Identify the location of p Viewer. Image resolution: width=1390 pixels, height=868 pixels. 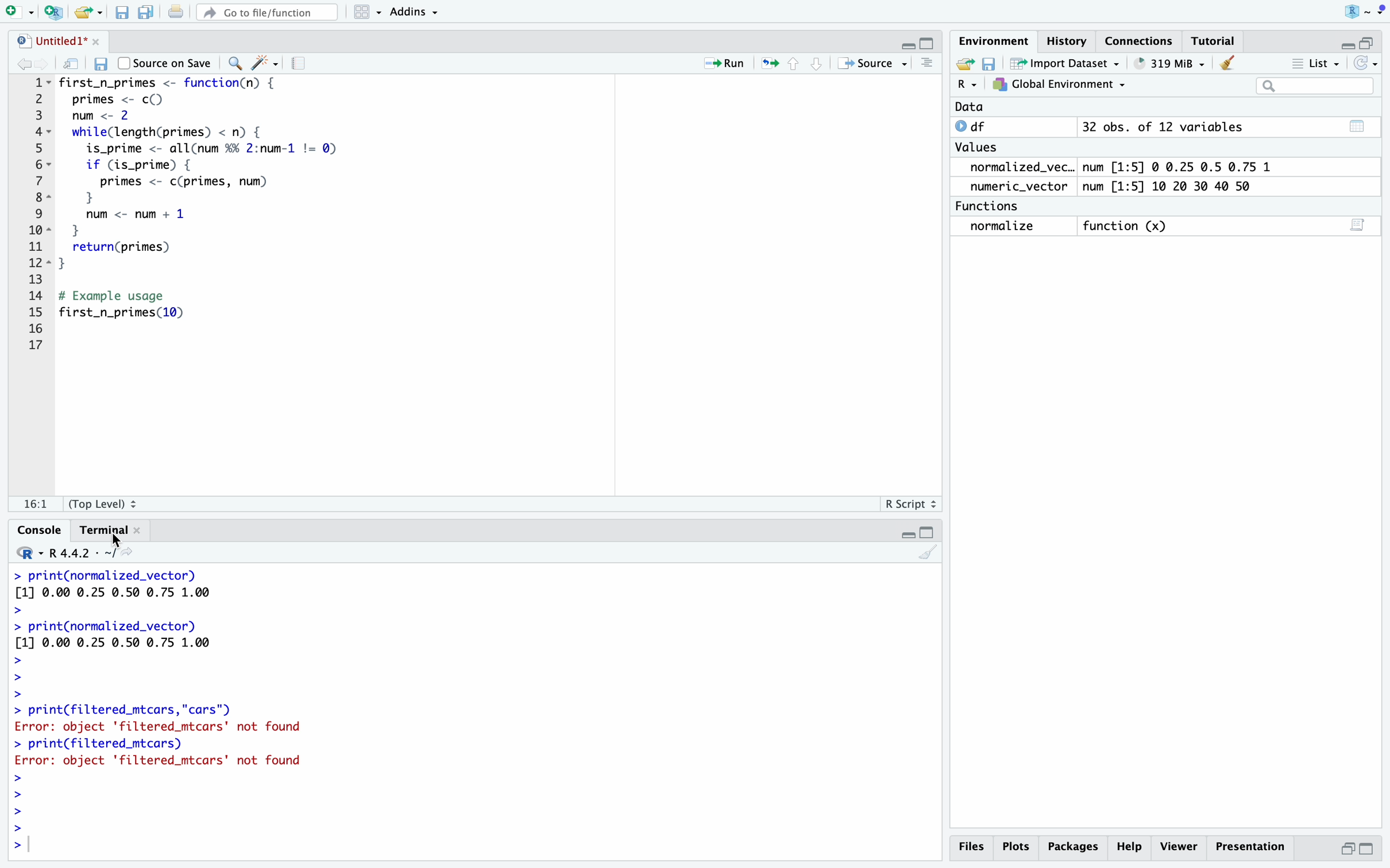
(1182, 846).